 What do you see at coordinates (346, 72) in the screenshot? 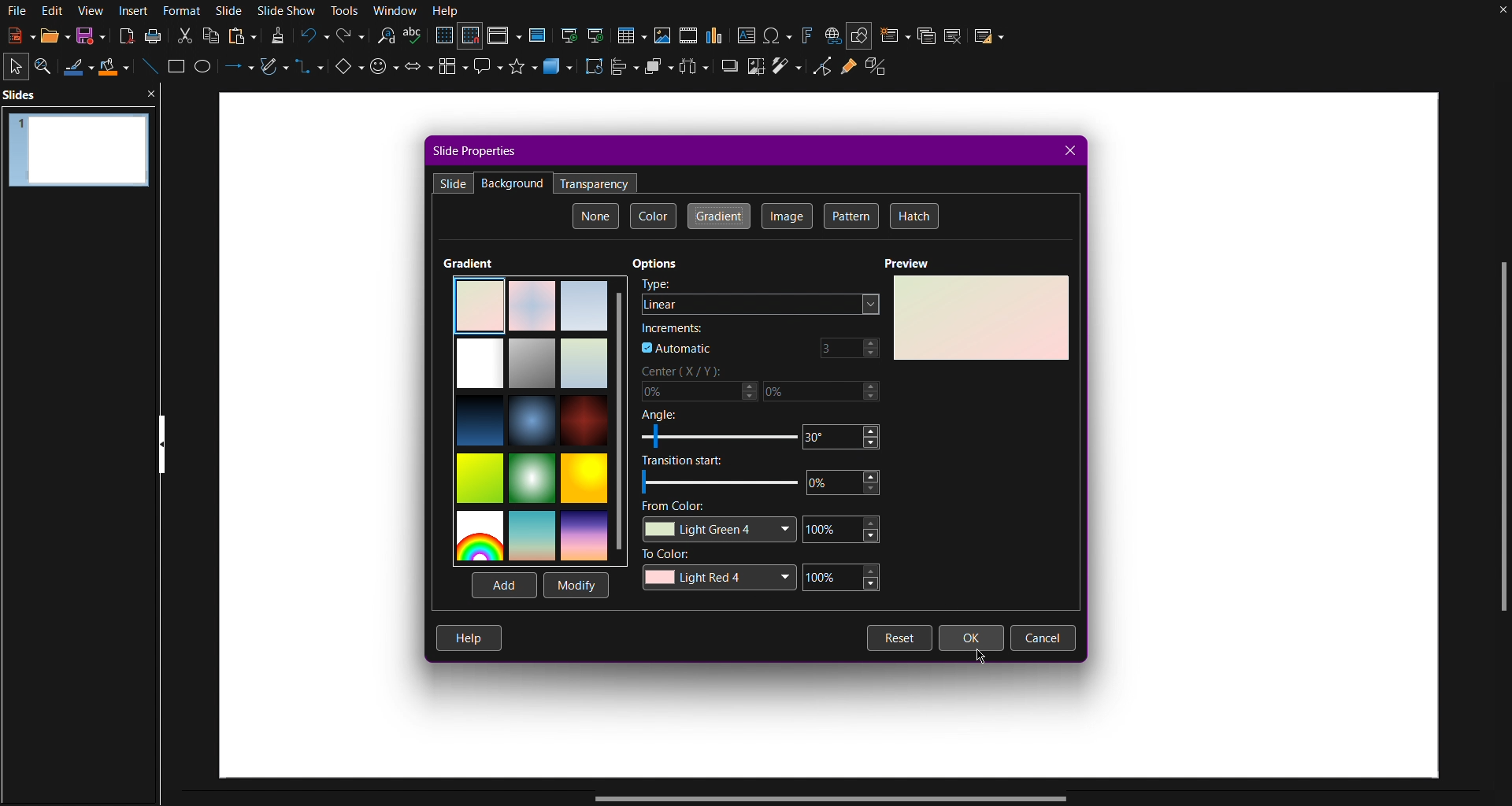
I see `Basic Shapes` at bounding box center [346, 72].